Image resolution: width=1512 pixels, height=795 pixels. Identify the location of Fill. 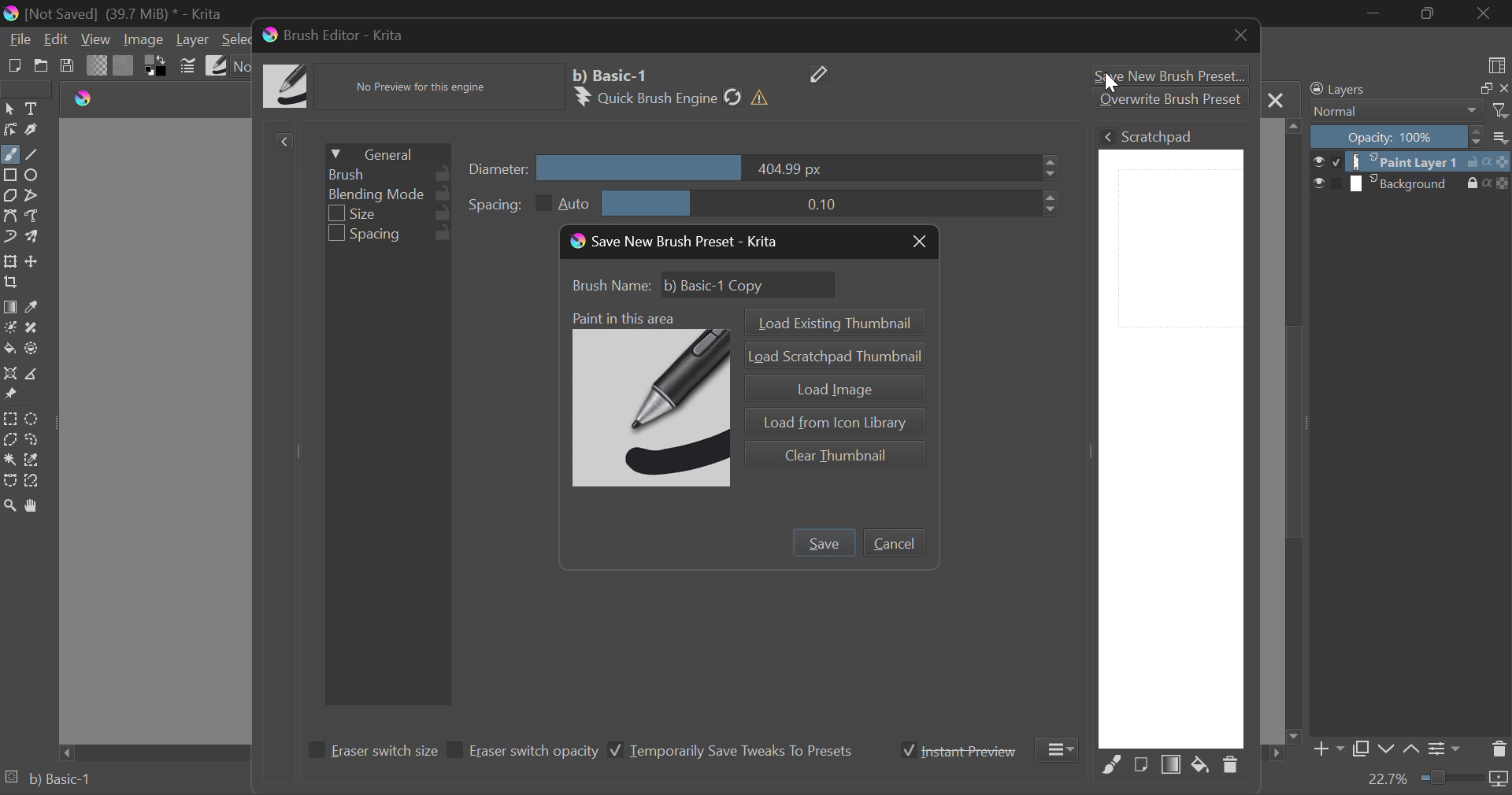
(10, 349).